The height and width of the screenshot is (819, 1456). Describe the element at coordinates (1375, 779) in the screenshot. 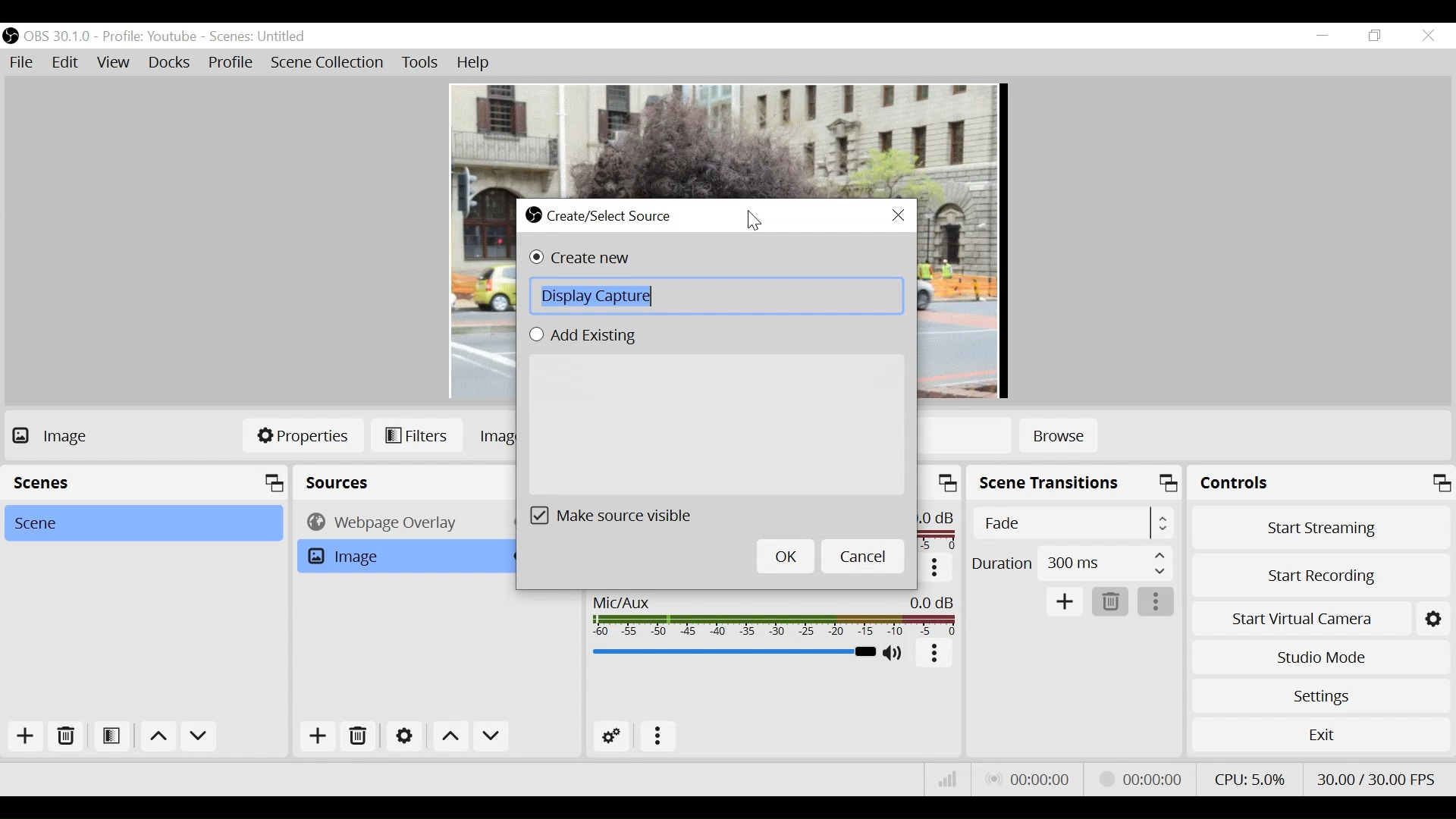

I see `Frame Per Second` at that location.